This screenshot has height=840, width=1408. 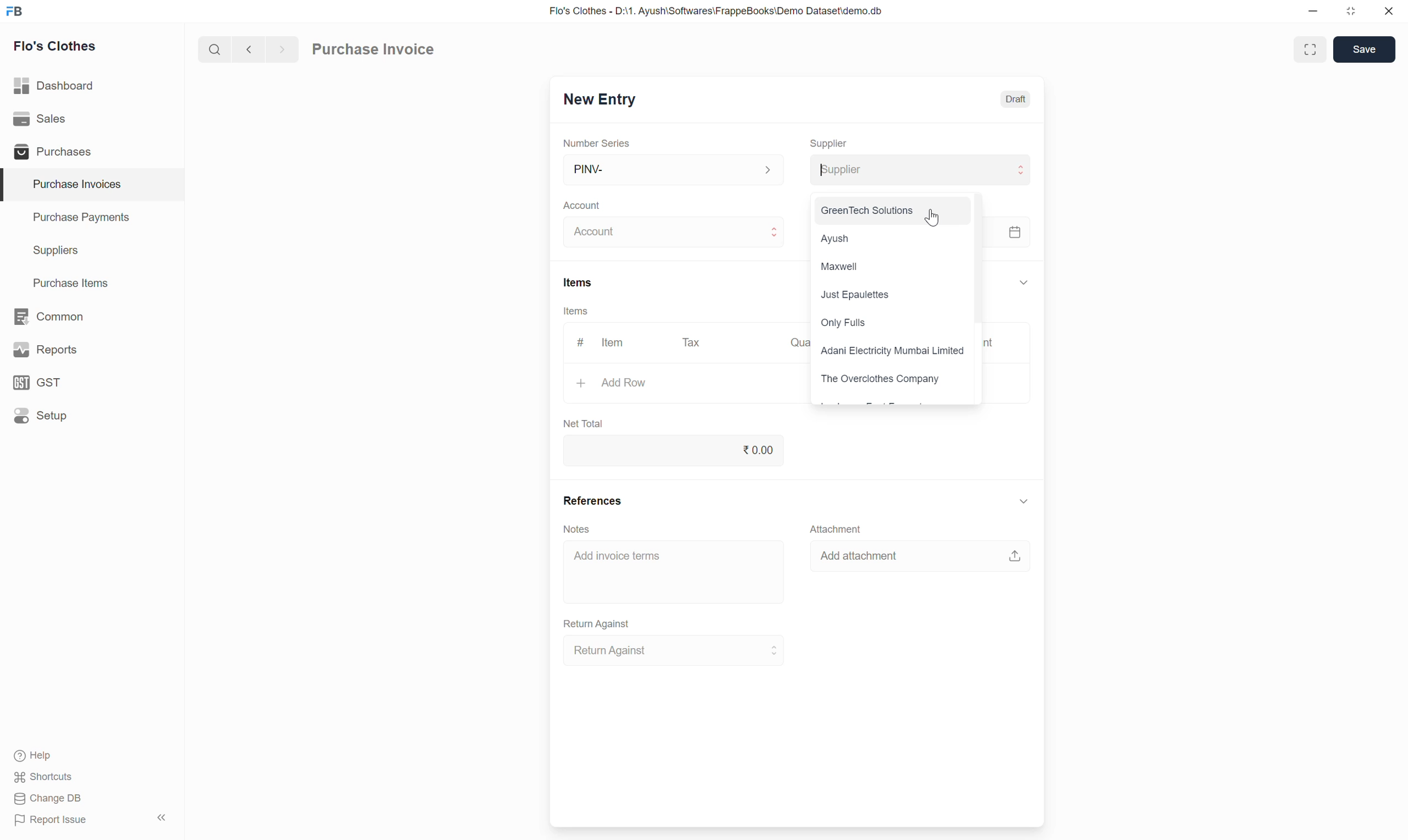 I want to click on Collapse, so click(x=1024, y=501).